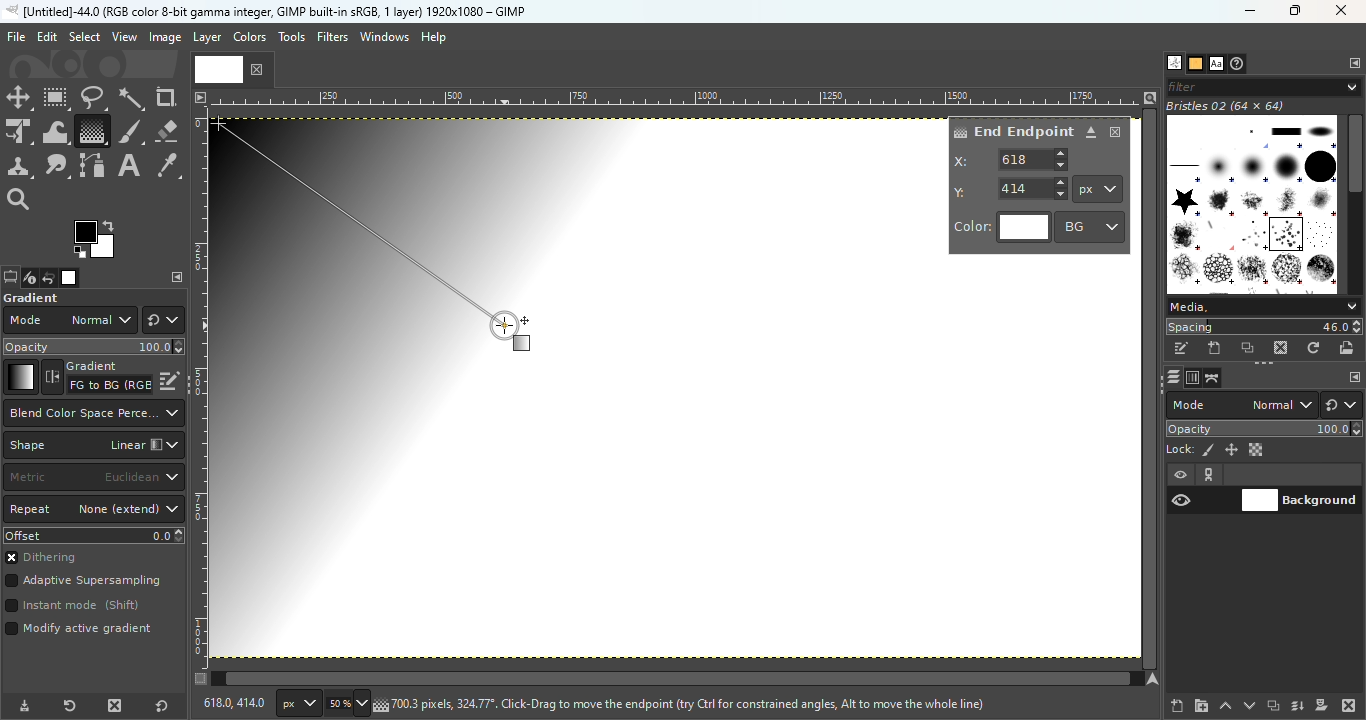  I want to click on X axis measurment, so click(1012, 159).